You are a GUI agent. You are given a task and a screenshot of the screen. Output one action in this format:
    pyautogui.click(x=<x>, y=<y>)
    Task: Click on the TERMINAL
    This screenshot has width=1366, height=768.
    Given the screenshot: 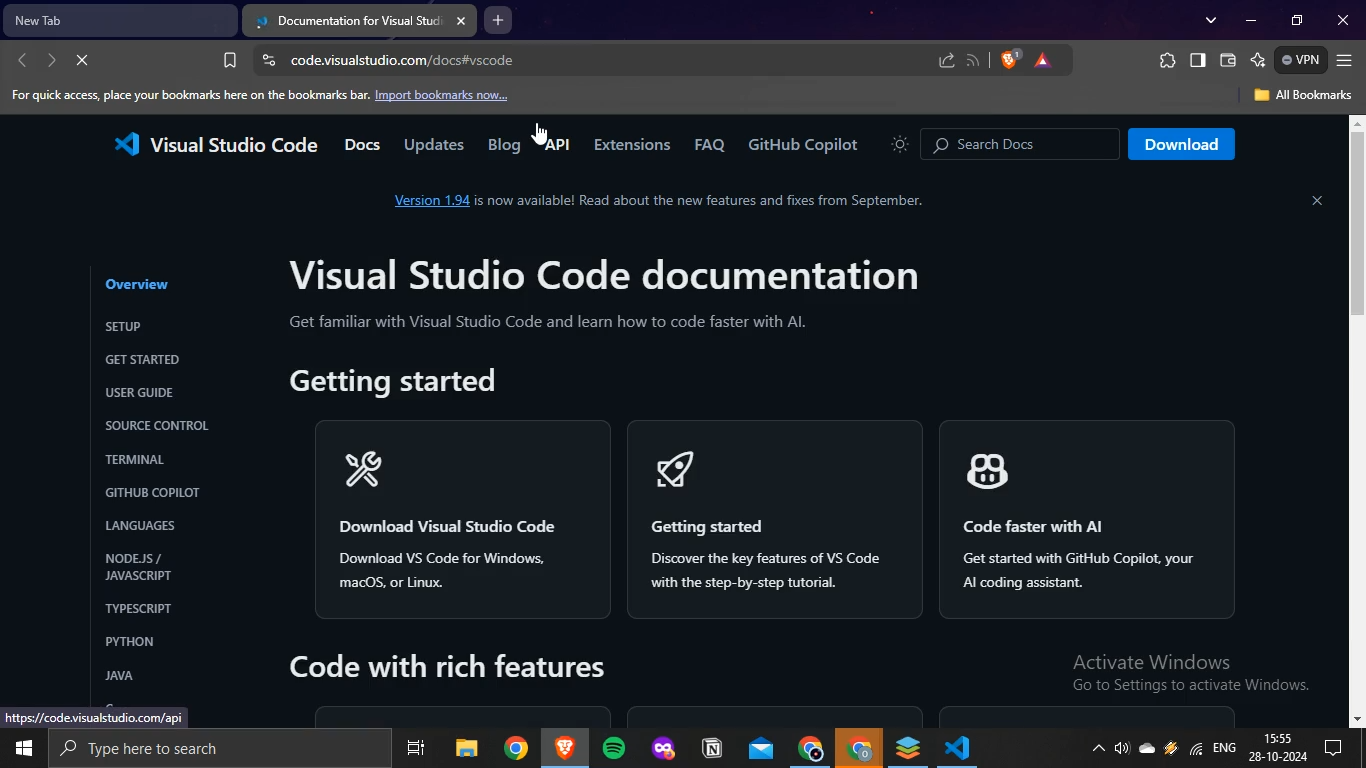 What is the action you would take?
    pyautogui.click(x=136, y=460)
    